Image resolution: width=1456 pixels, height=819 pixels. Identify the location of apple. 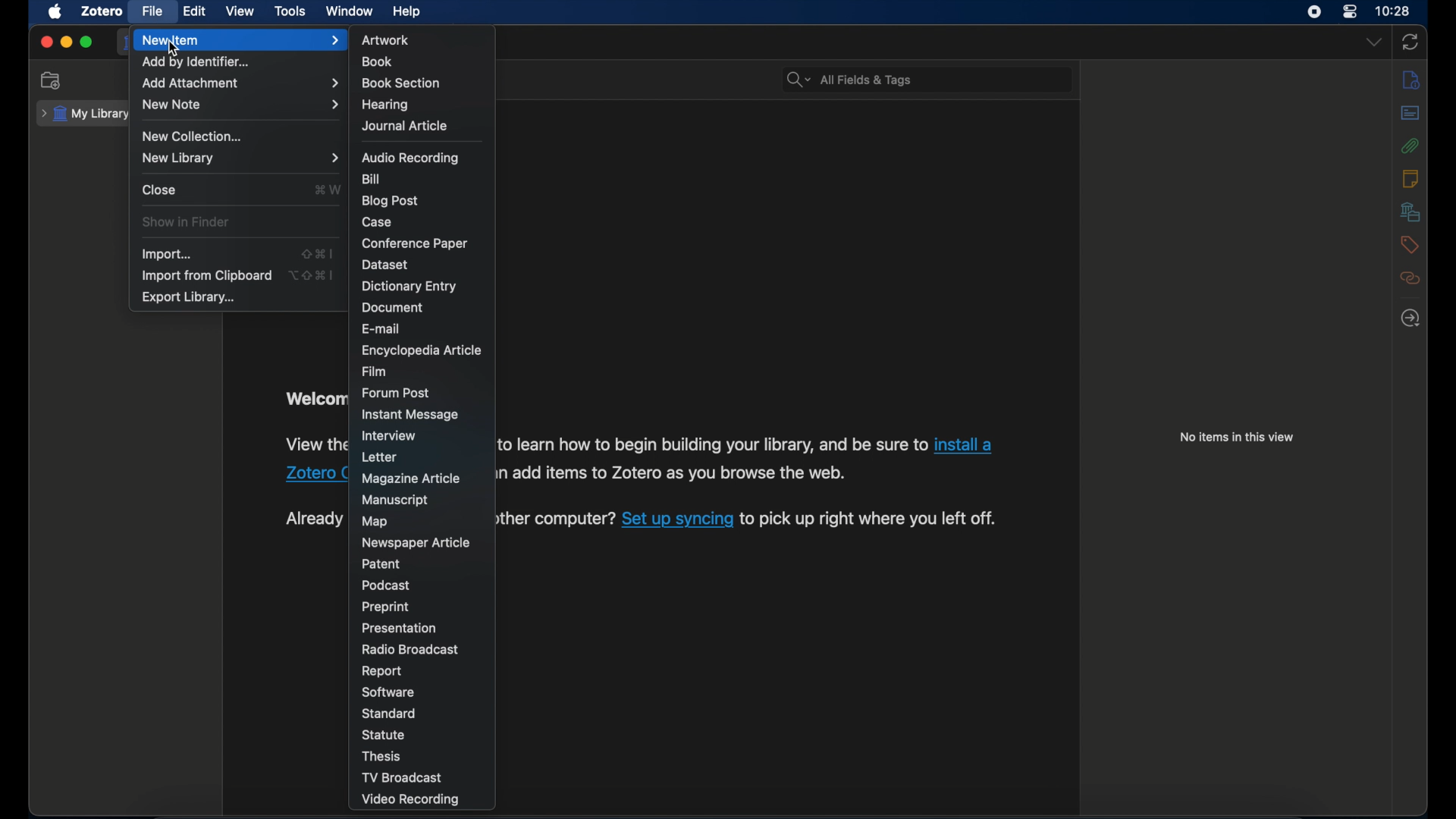
(55, 12).